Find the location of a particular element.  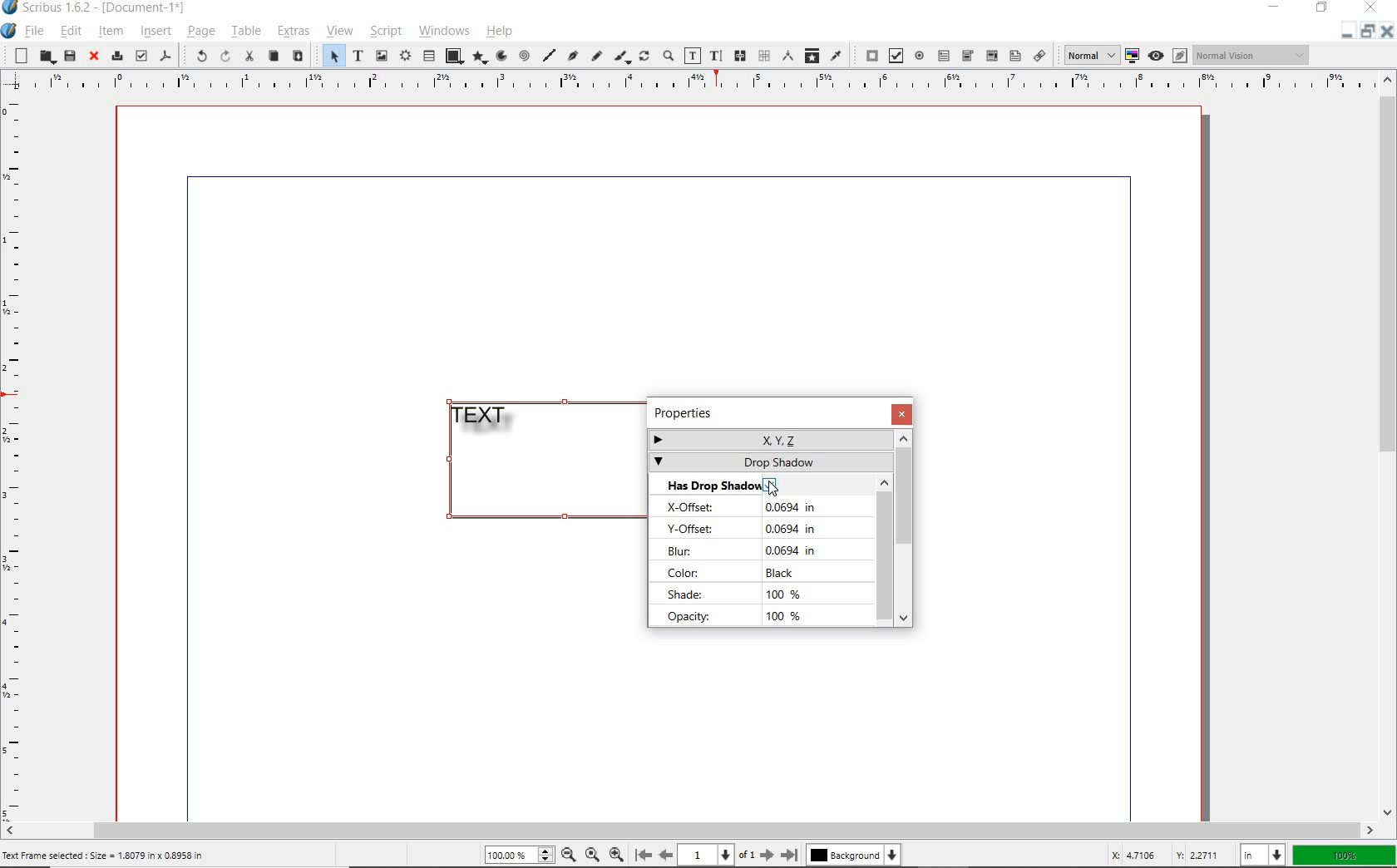

Previous Page is located at coordinates (667, 856).